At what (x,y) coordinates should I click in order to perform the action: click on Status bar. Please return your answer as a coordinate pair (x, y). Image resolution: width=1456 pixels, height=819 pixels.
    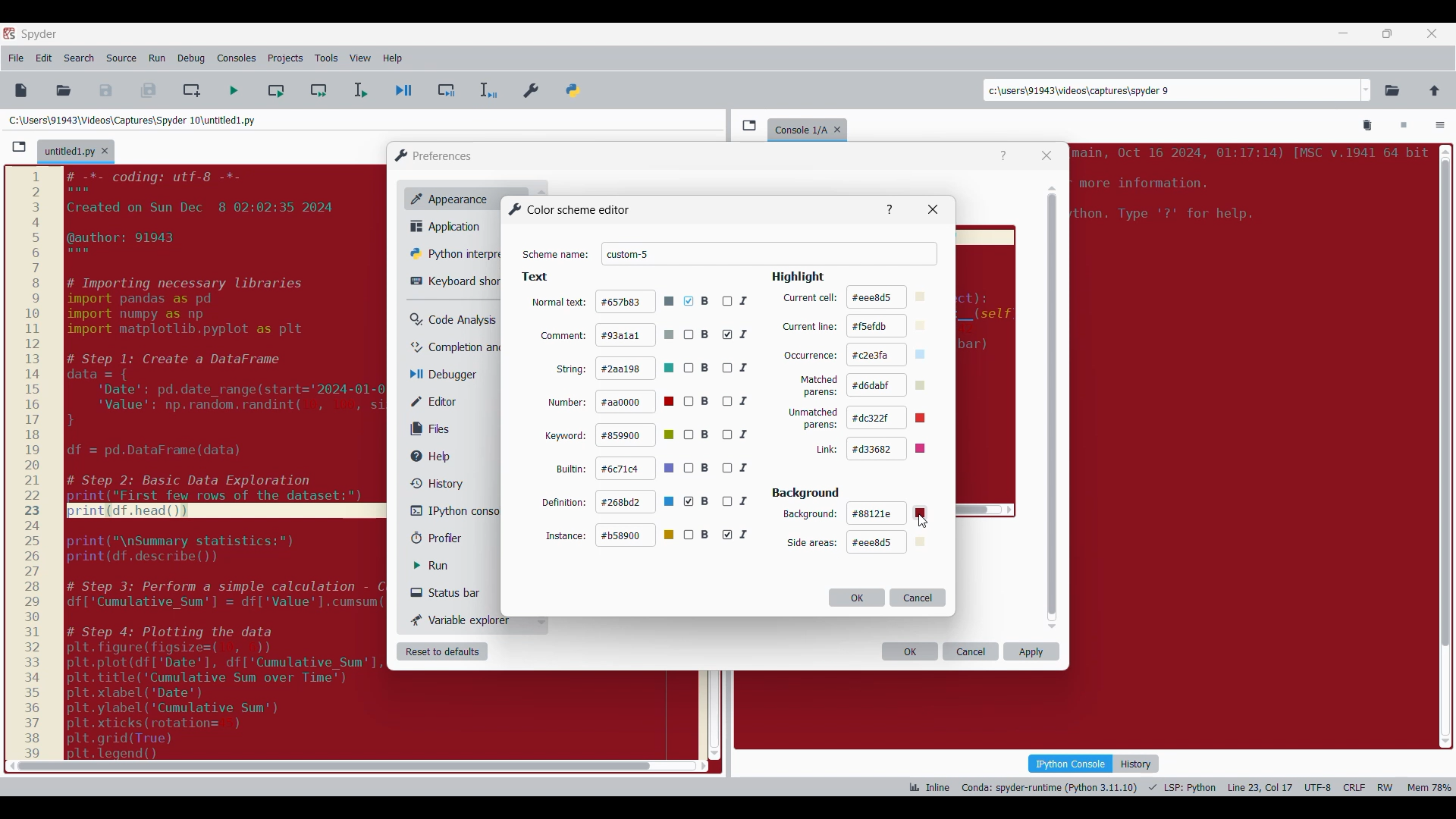
    Looking at the image, I should click on (451, 592).